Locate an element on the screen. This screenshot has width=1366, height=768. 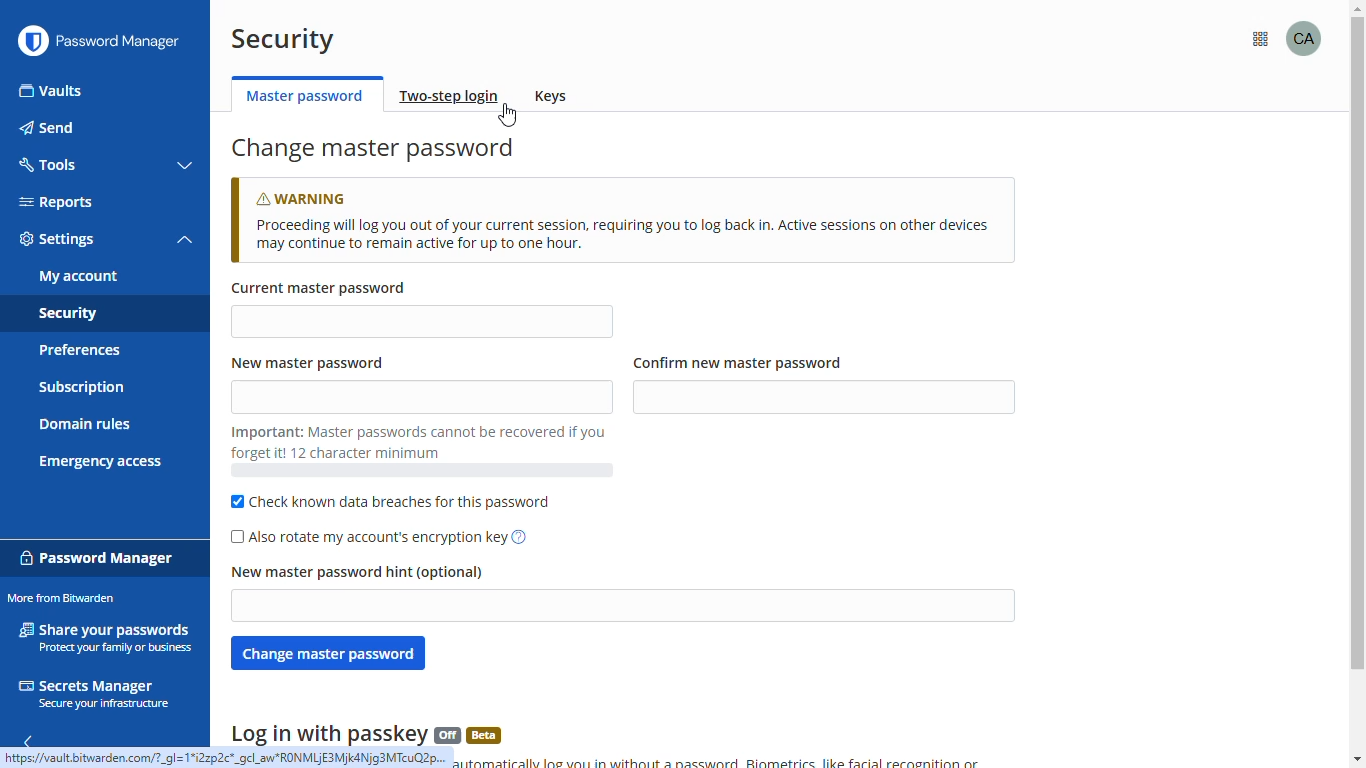
more from bitwarden is located at coordinates (1260, 40).